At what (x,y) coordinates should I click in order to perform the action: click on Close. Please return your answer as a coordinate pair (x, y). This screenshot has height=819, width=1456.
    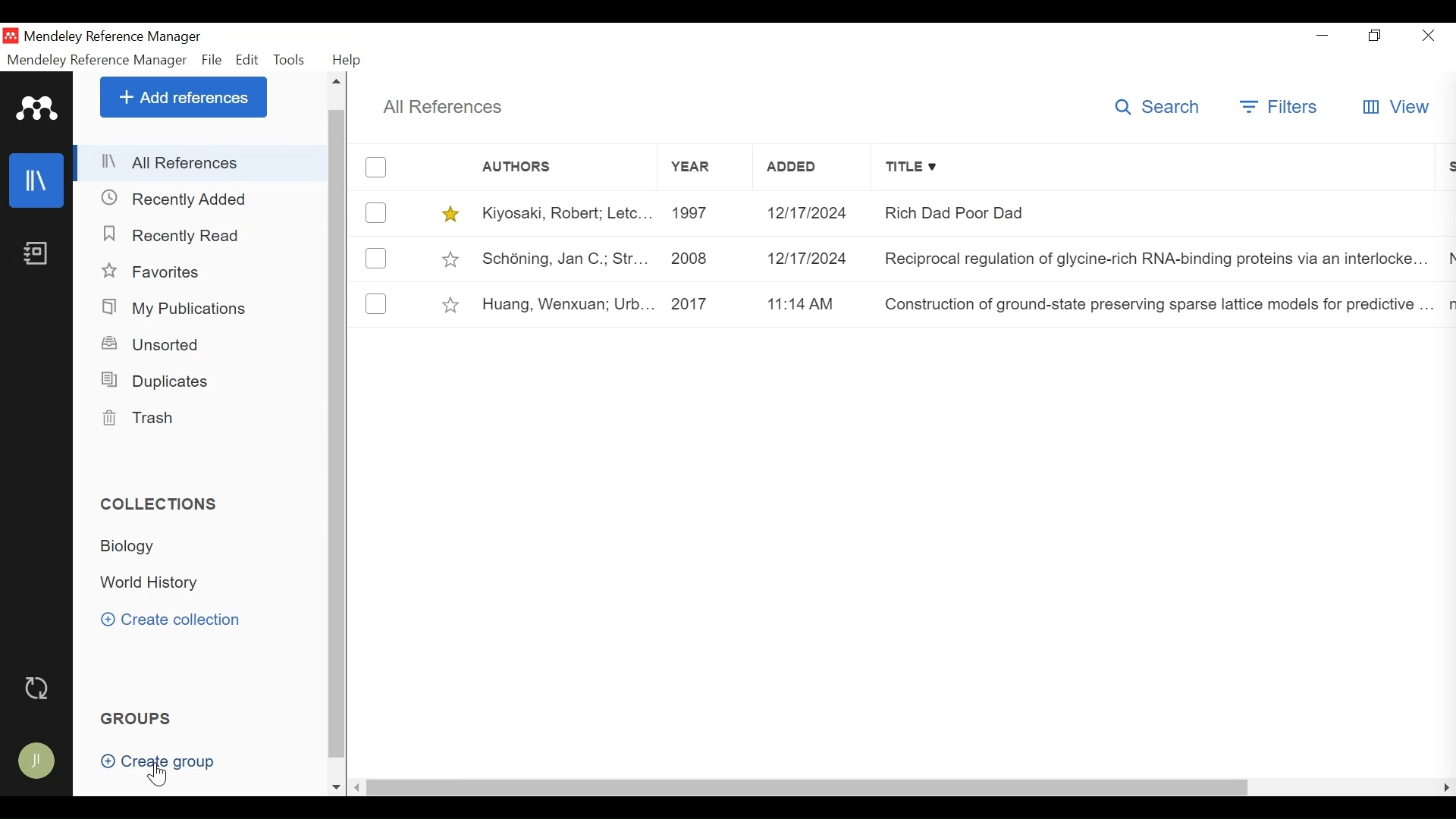
    Looking at the image, I should click on (1429, 35).